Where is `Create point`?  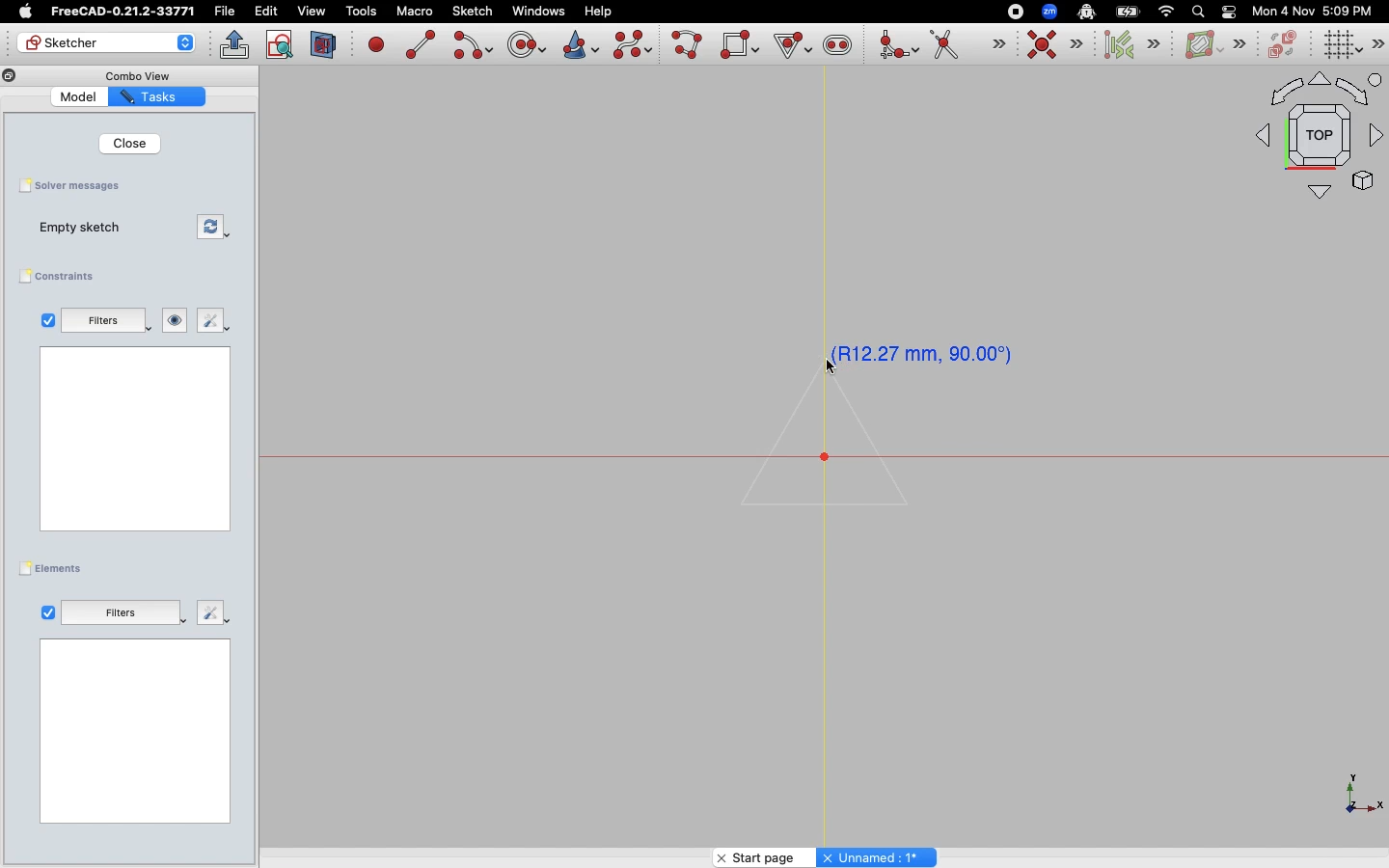 Create point is located at coordinates (377, 43).